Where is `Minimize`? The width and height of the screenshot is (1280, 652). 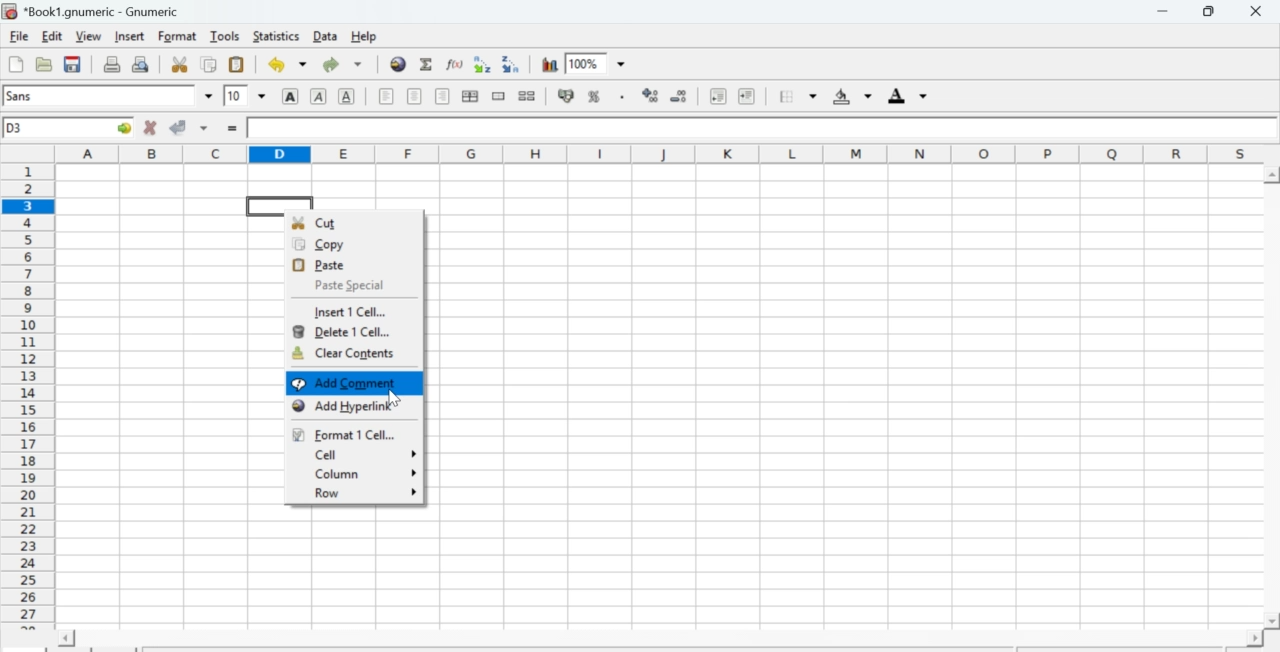
Minimize is located at coordinates (1162, 12).